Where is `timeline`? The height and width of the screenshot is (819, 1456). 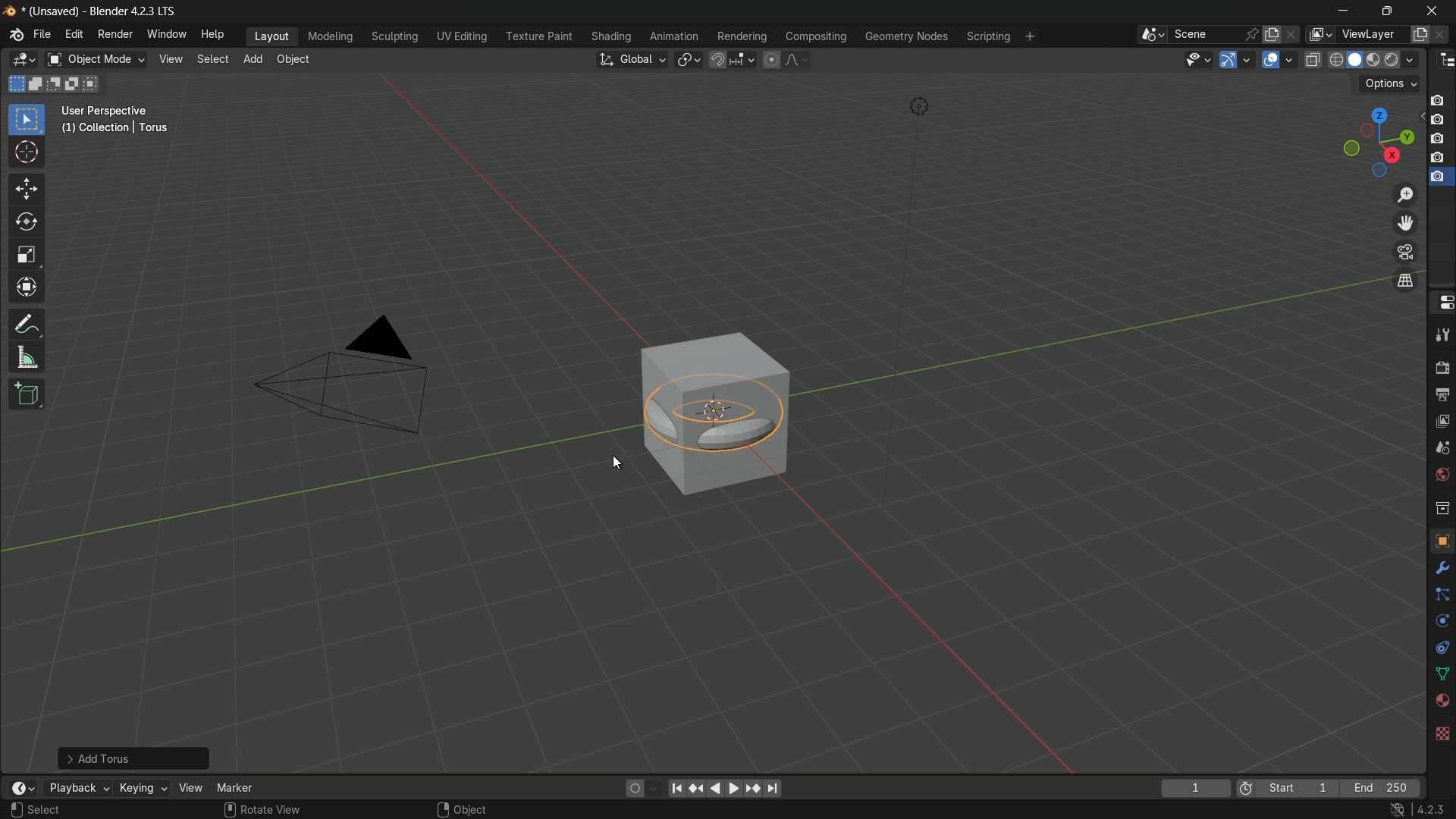 timeline is located at coordinates (23, 788).